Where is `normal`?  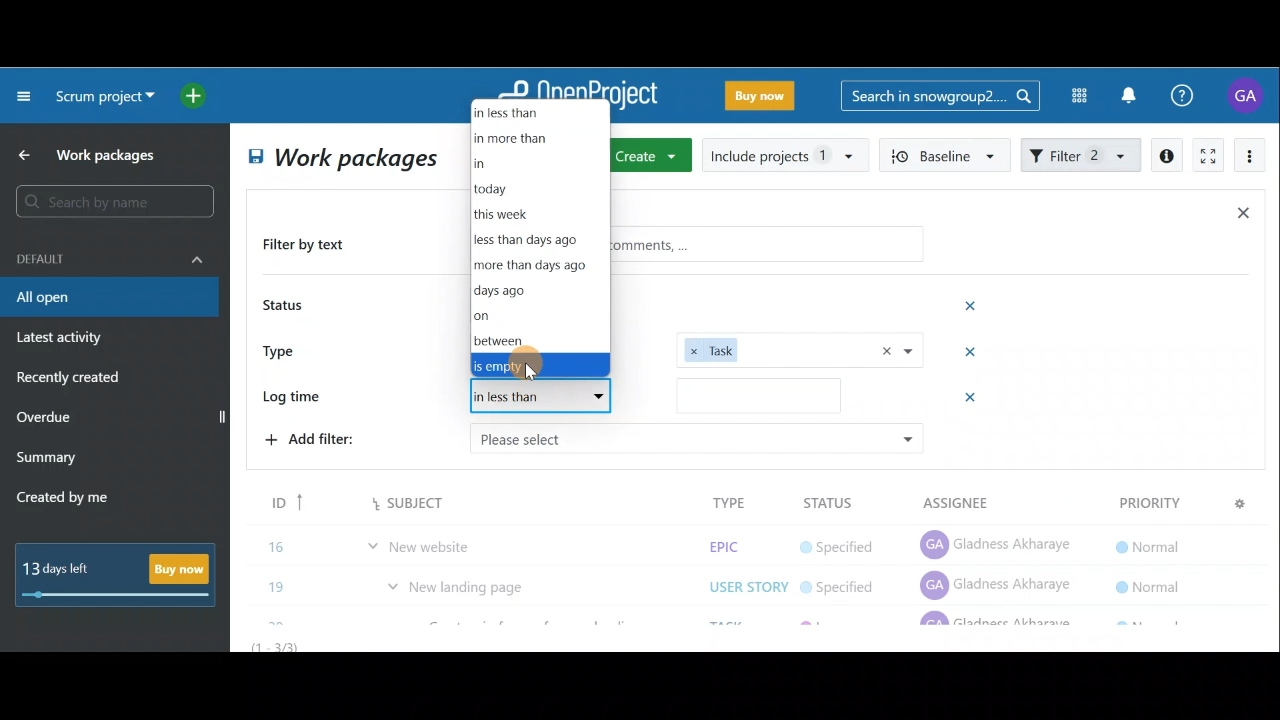 normal is located at coordinates (1150, 580).